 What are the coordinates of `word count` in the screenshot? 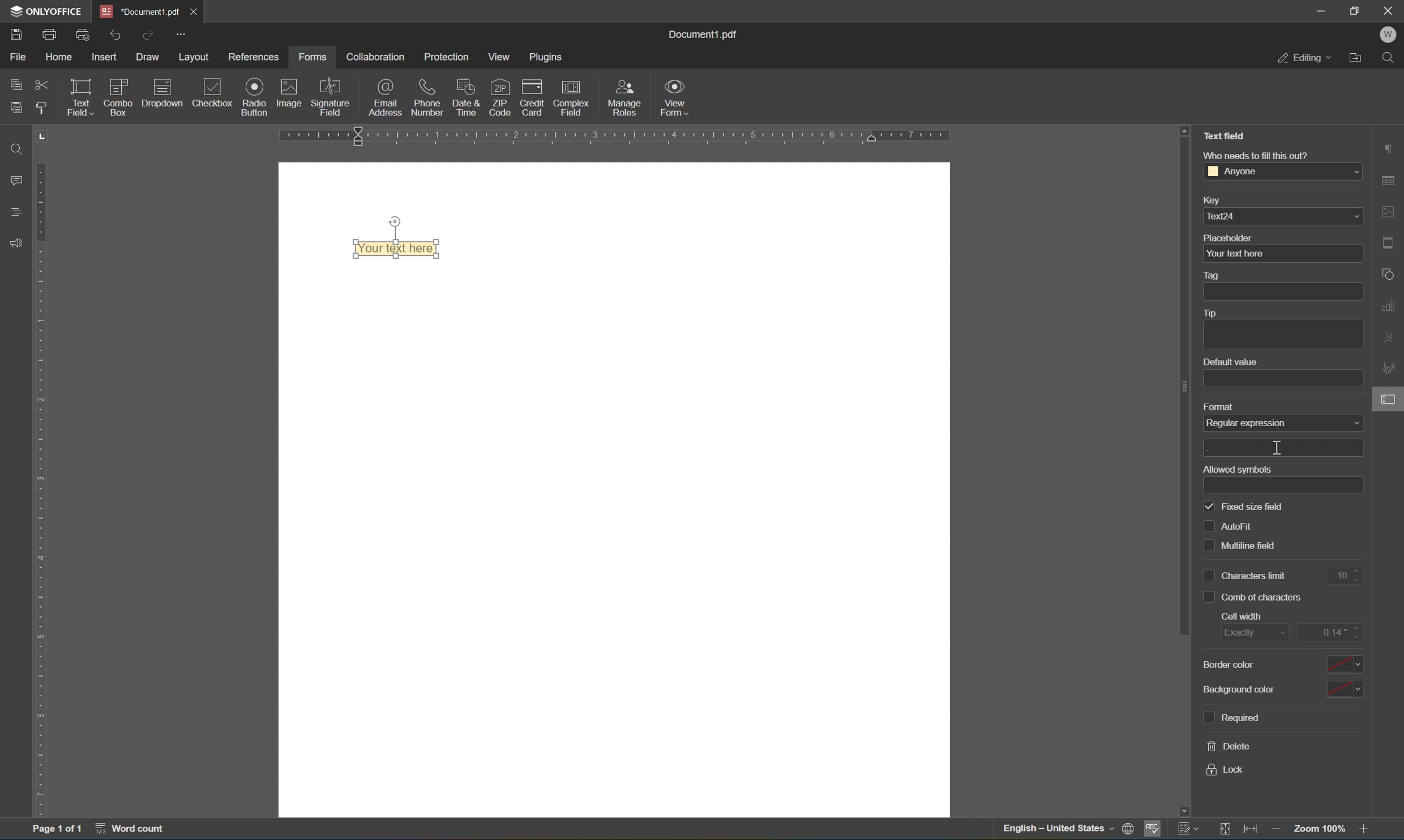 It's located at (136, 830).